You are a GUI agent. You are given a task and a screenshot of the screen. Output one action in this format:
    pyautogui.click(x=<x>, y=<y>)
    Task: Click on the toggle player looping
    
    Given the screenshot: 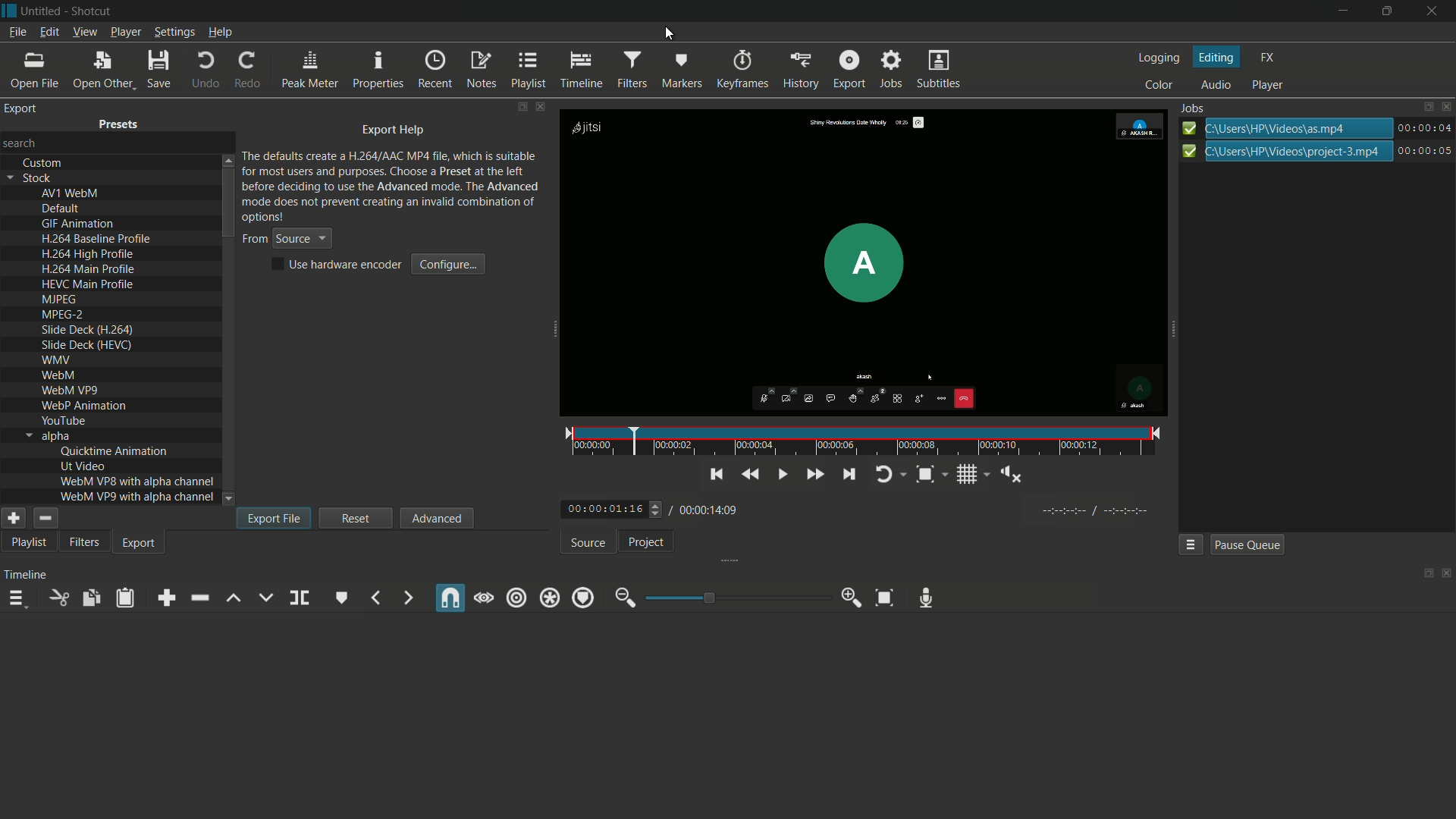 What is the action you would take?
    pyautogui.click(x=886, y=471)
    